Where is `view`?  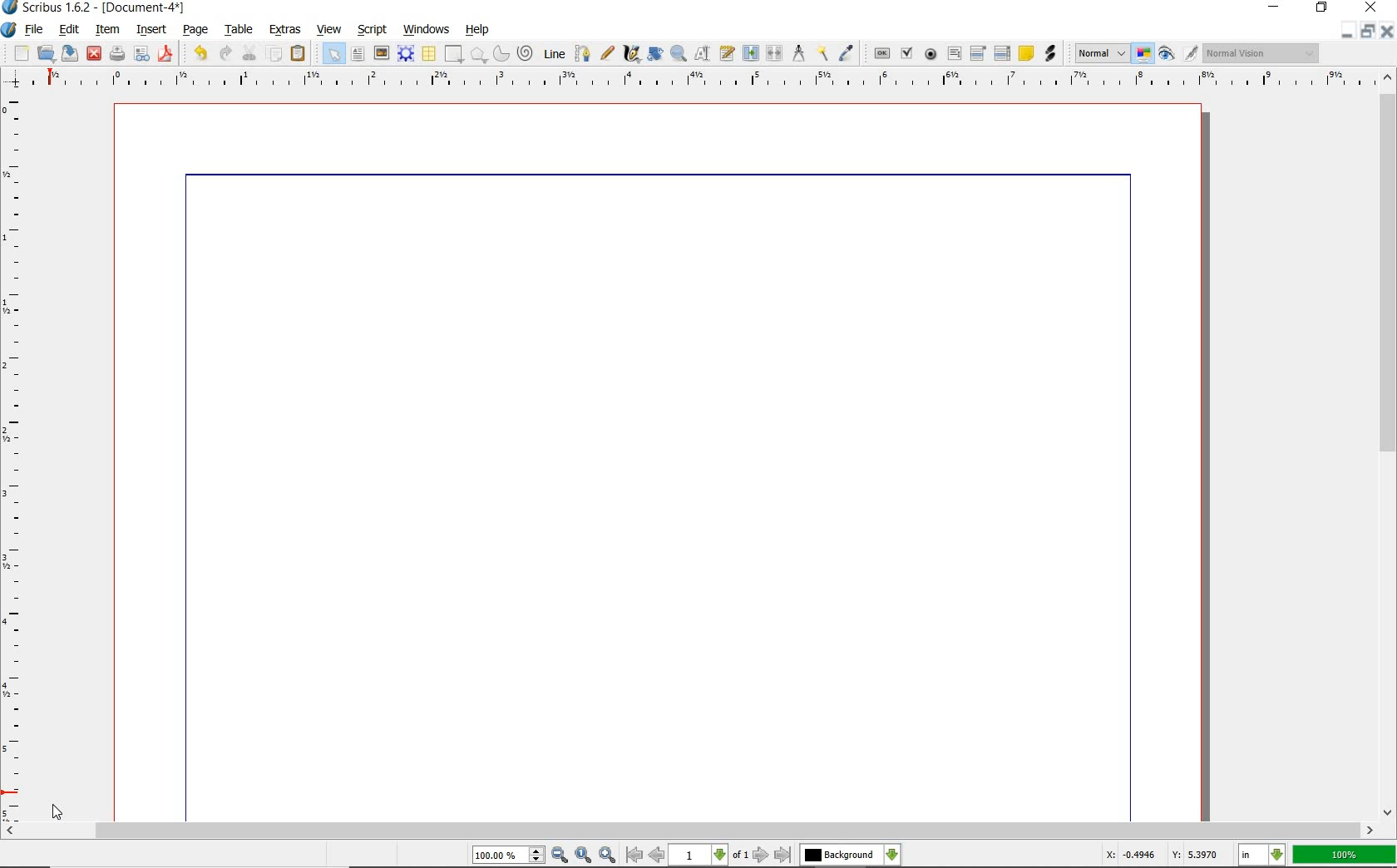
view is located at coordinates (332, 30).